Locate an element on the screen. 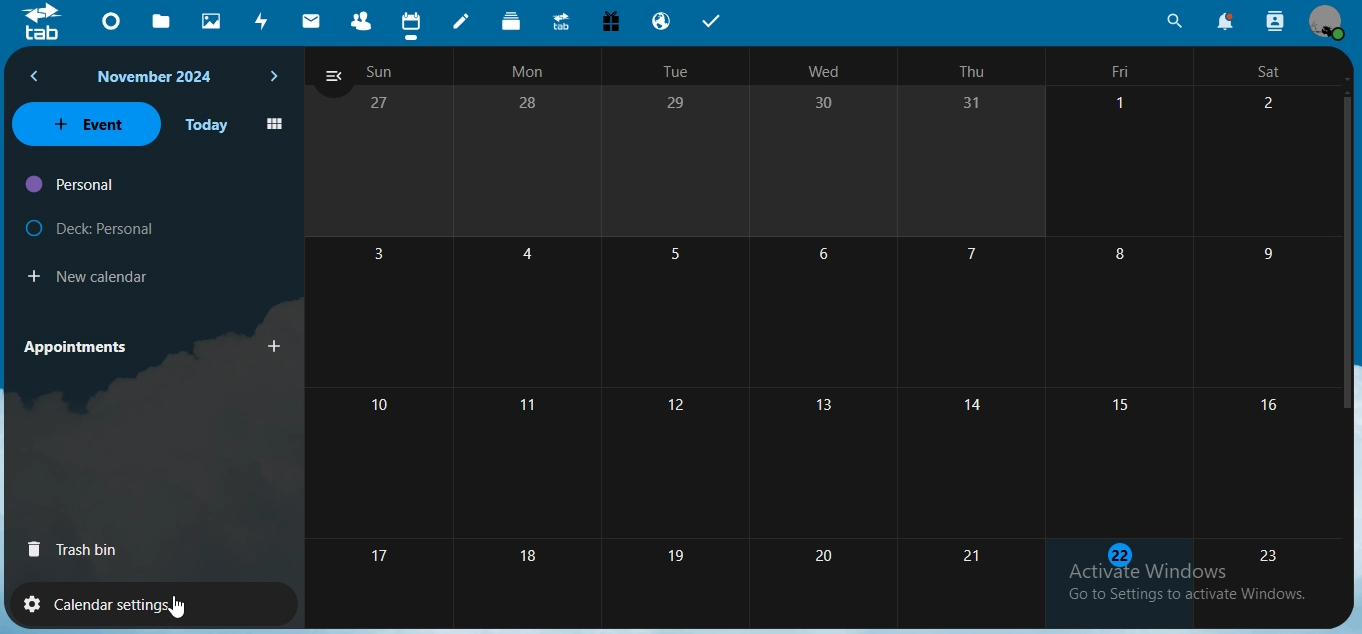 The height and width of the screenshot is (634, 1362). trash bin is located at coordinates (78, 548).